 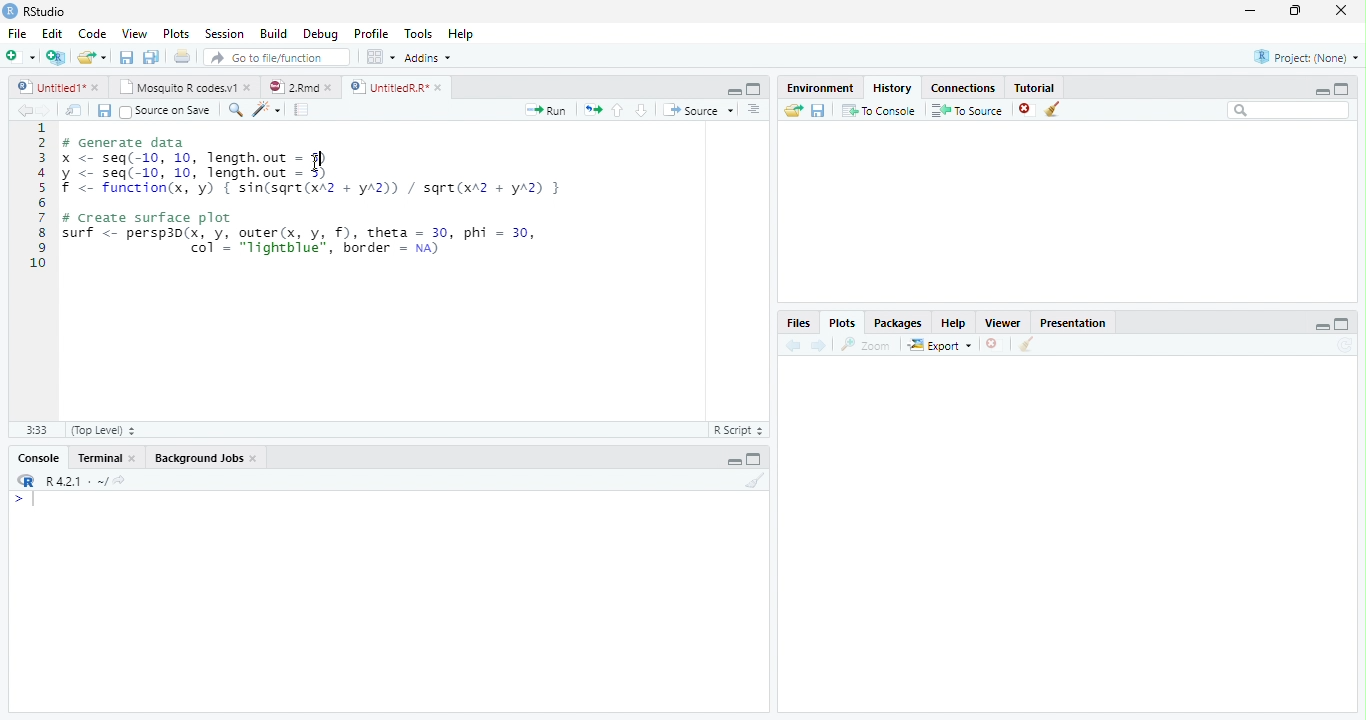 What do you see at coordinates (940, 345) in the screenshot?
I see `Export` at bounding box center [940, 345].